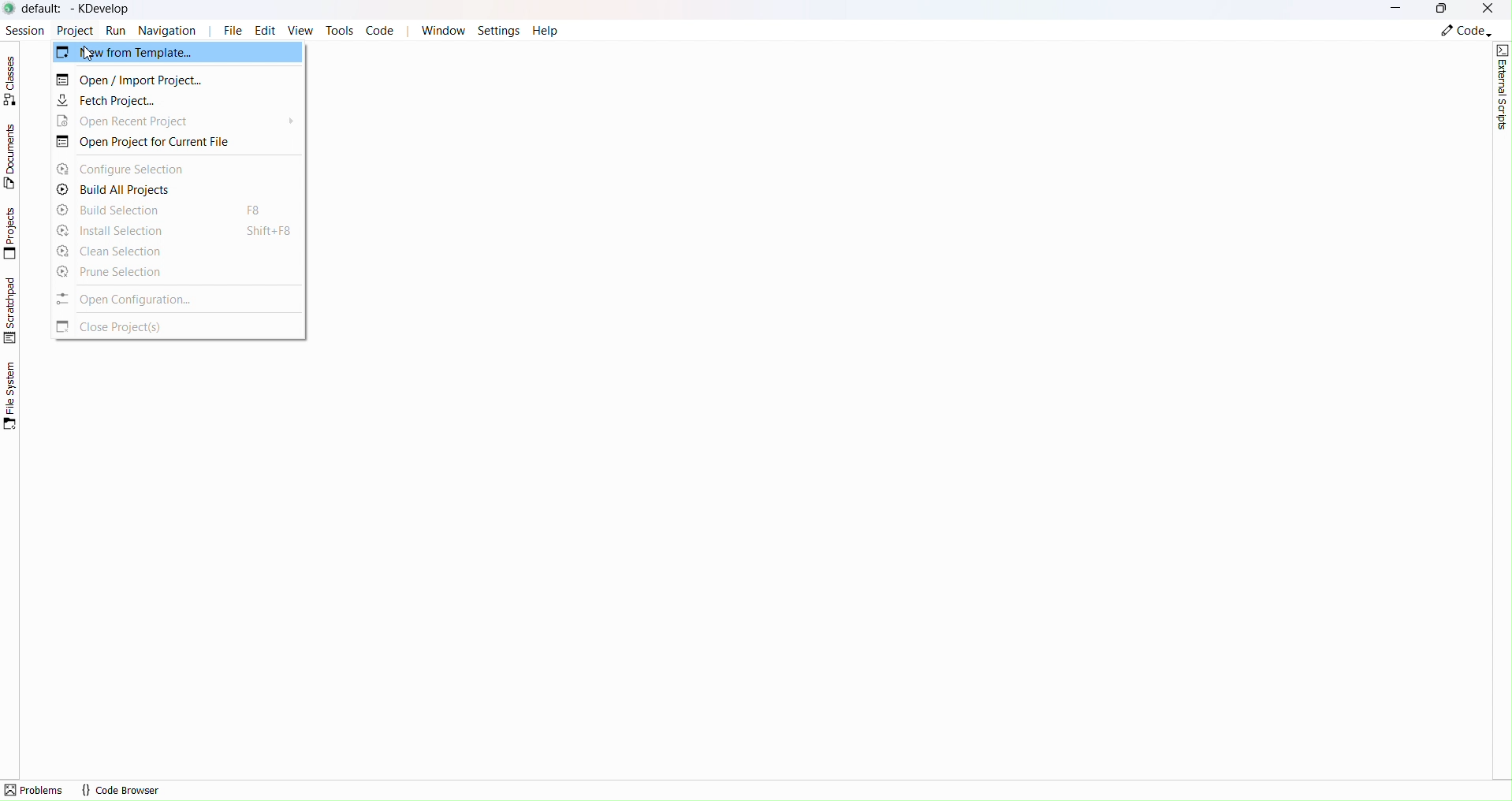  What do you see at coordinates (117, 30) in the screenshot?
I see `Run` at bounding box center [117, 30].